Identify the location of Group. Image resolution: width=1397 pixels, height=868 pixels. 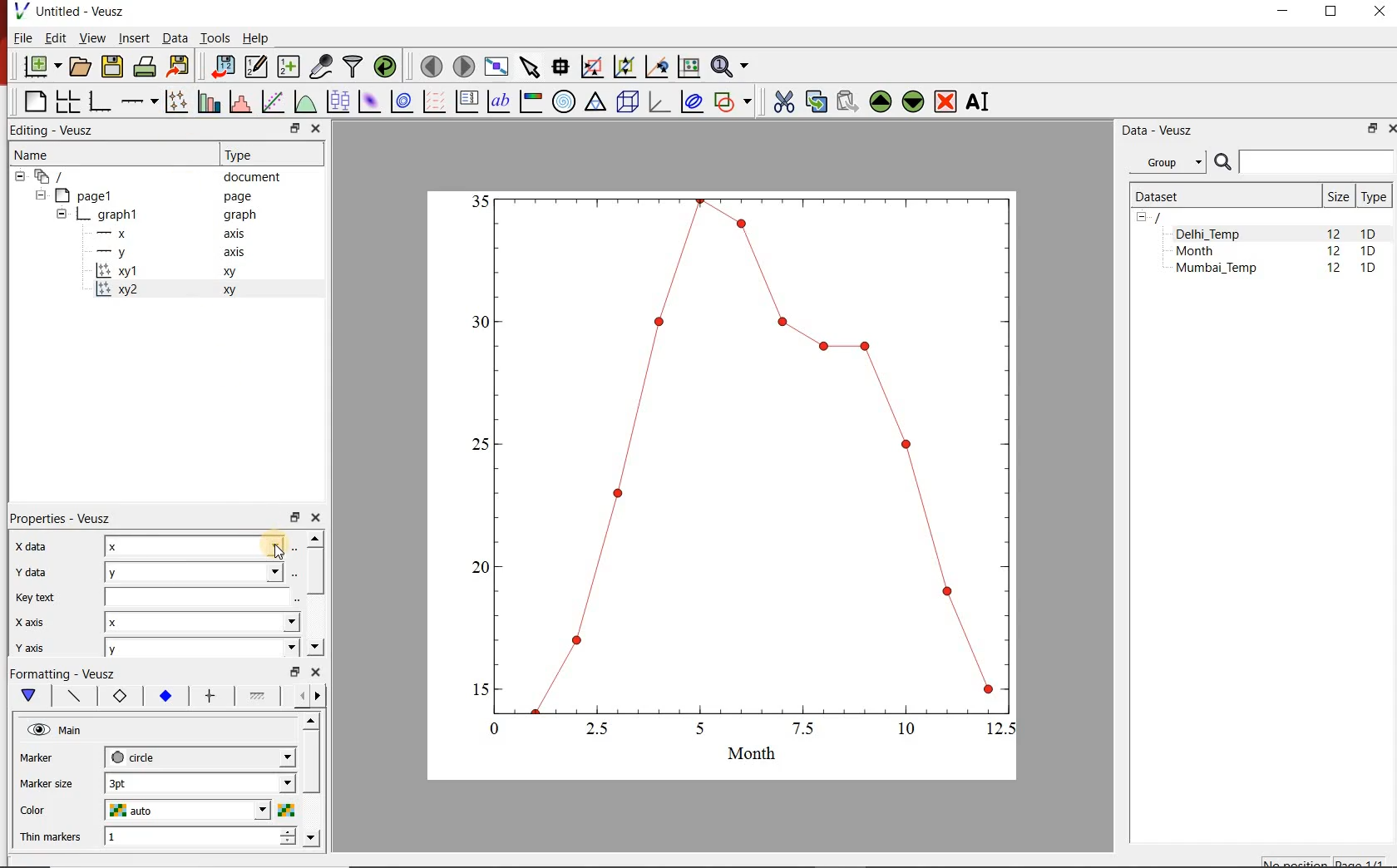
(1167, 160).